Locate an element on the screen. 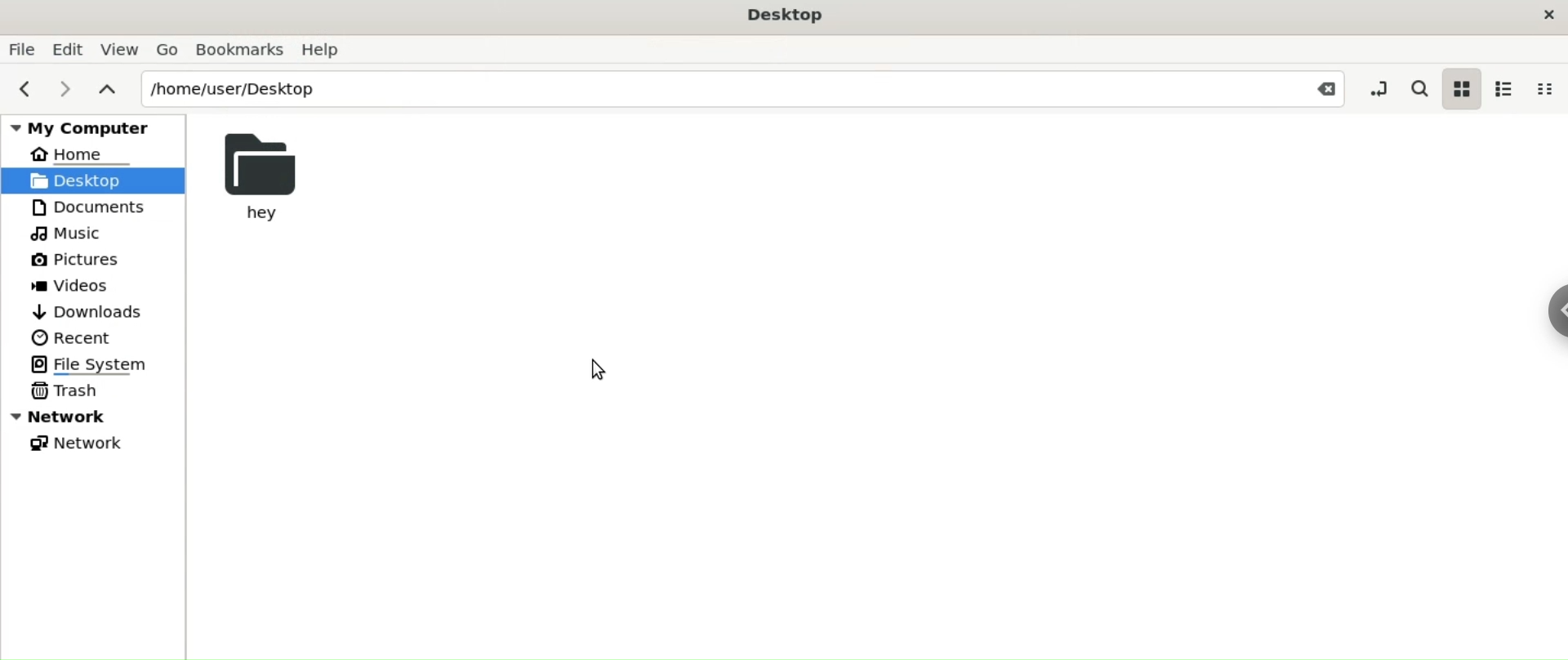  Close is located at coordinates (1328, 88).